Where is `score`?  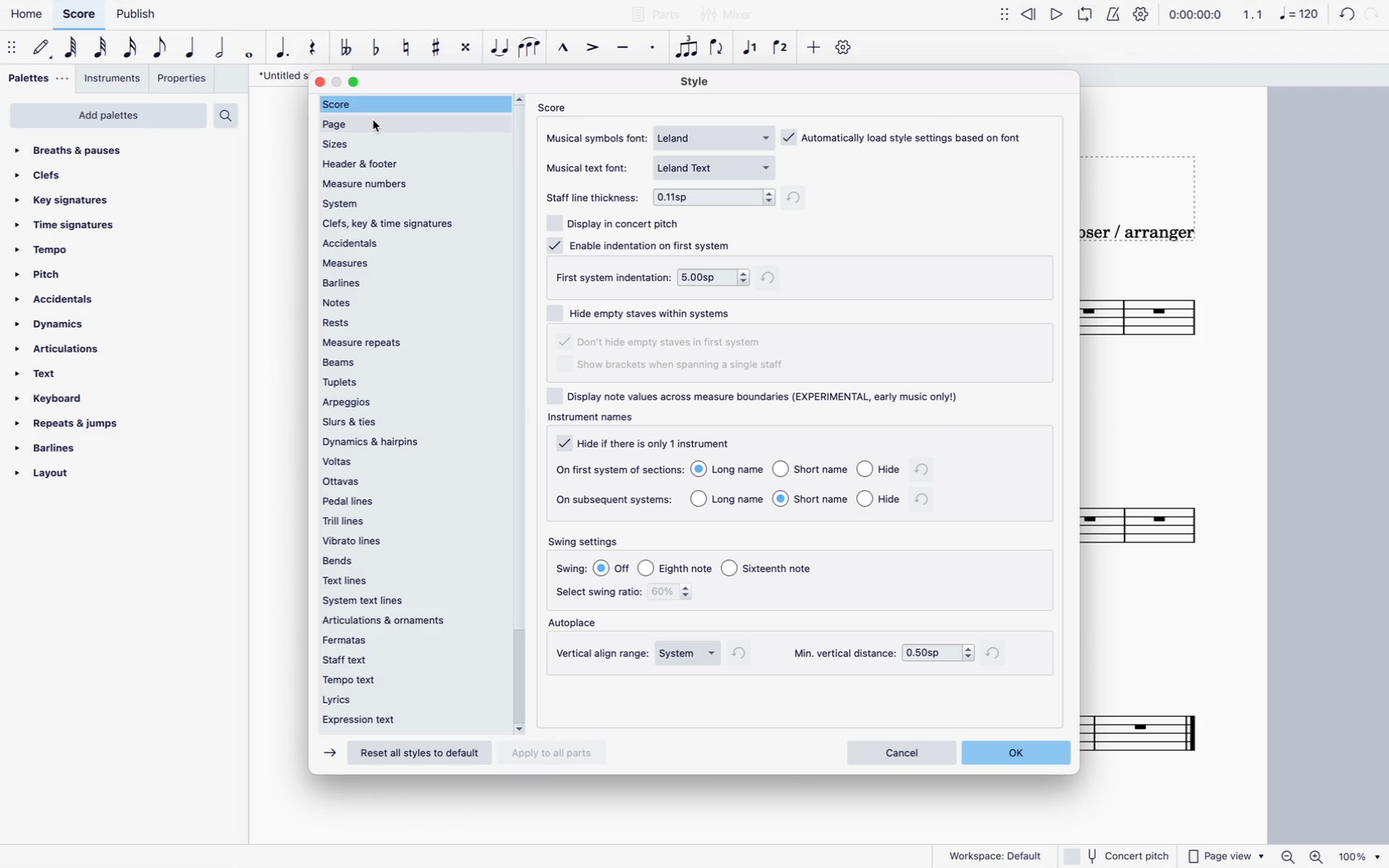
score is located at coordinates (1167, 321).